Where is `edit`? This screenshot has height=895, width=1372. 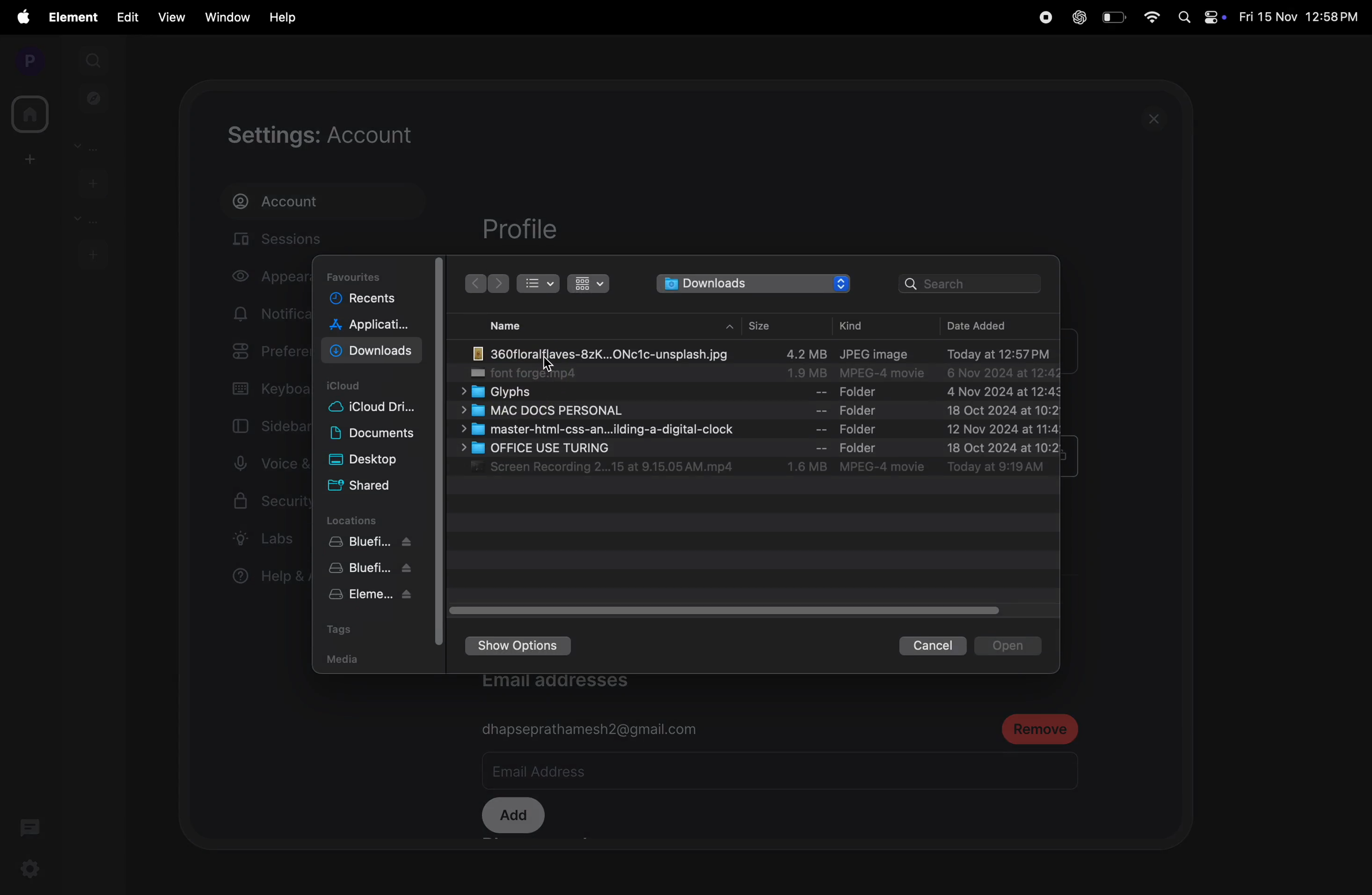 edit is located at coordinates (127, 16).